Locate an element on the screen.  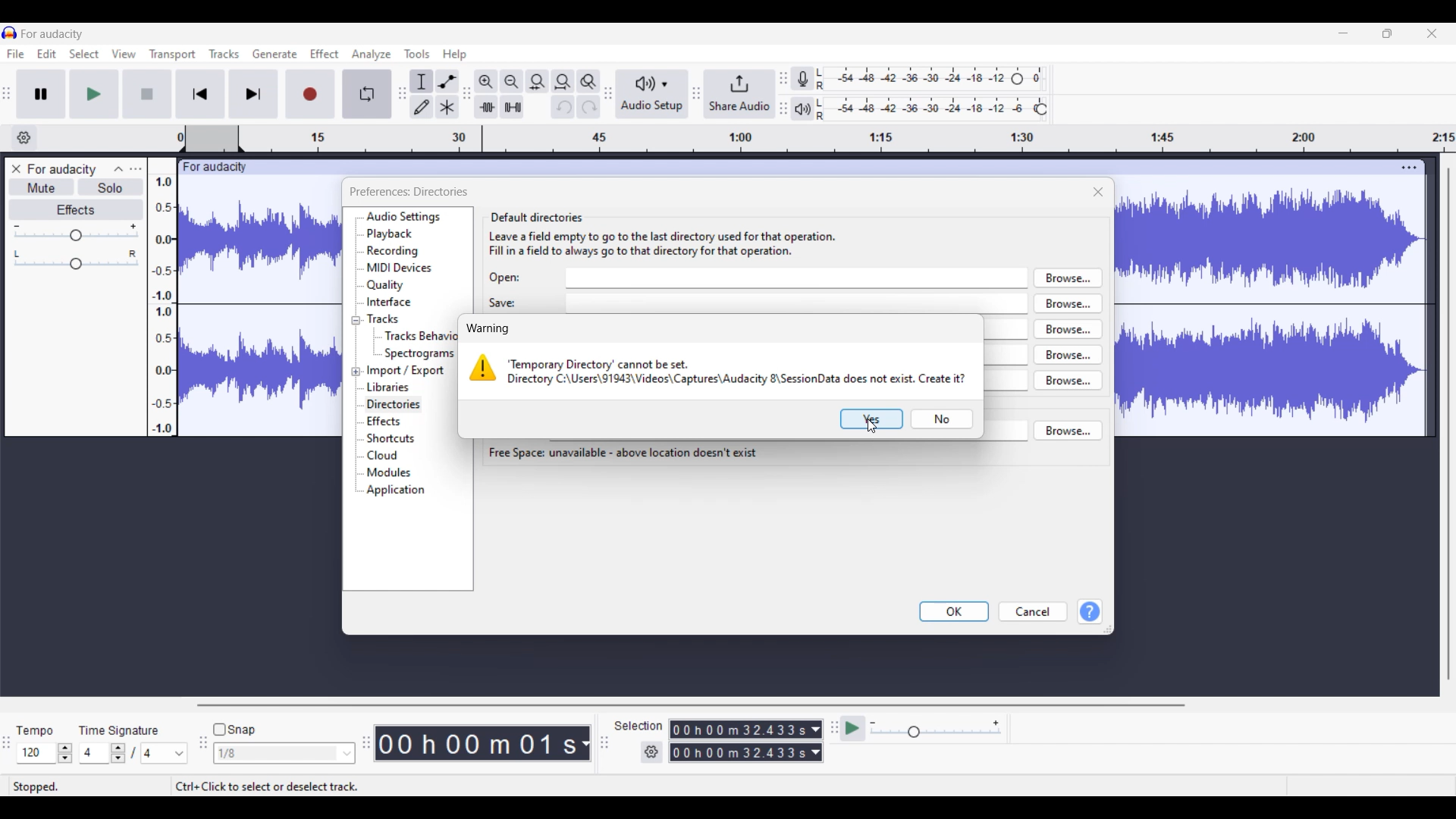
Application is located at coordinates (395, 491).